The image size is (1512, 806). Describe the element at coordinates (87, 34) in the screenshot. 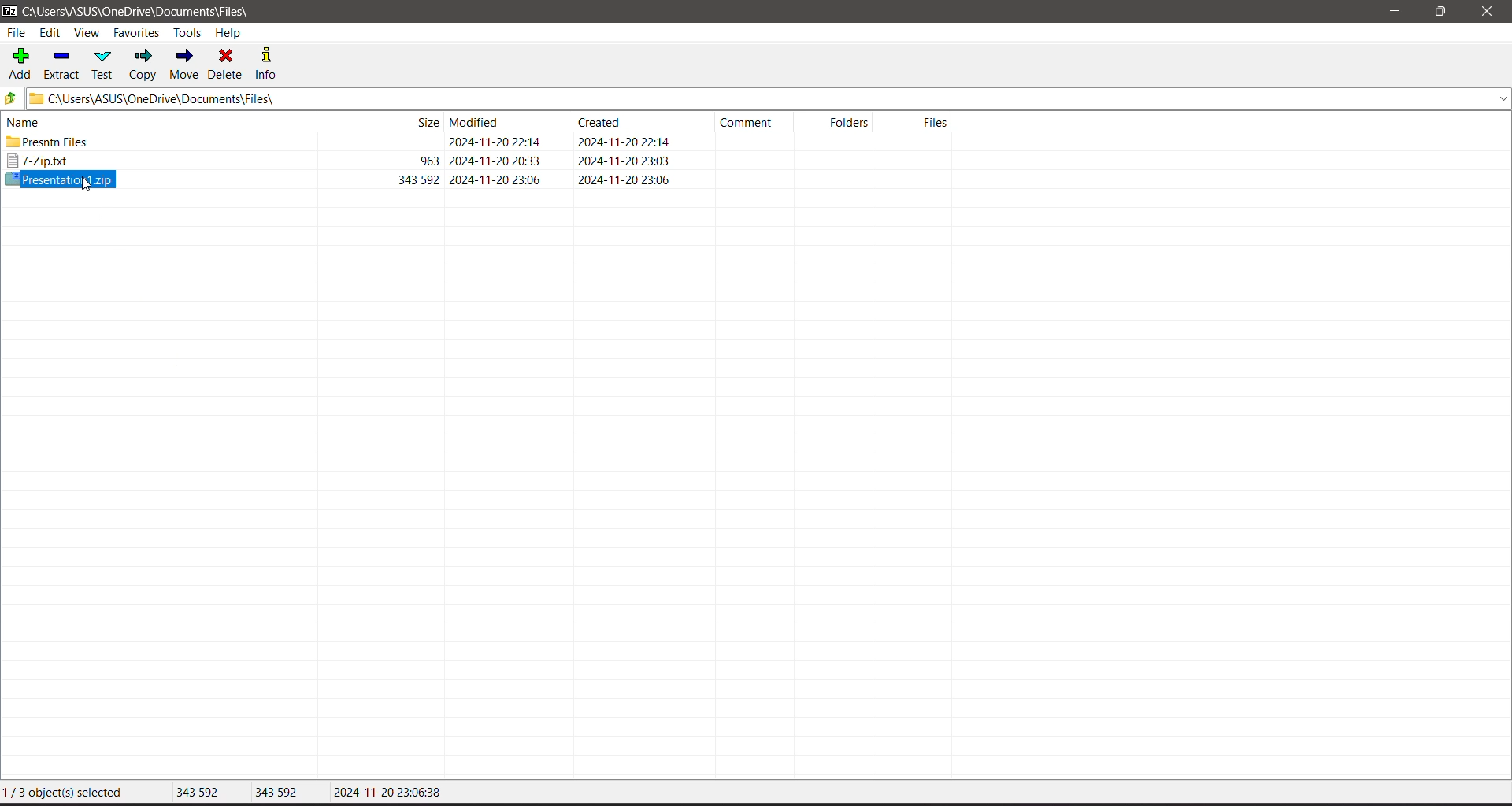

I see `View` at that location.